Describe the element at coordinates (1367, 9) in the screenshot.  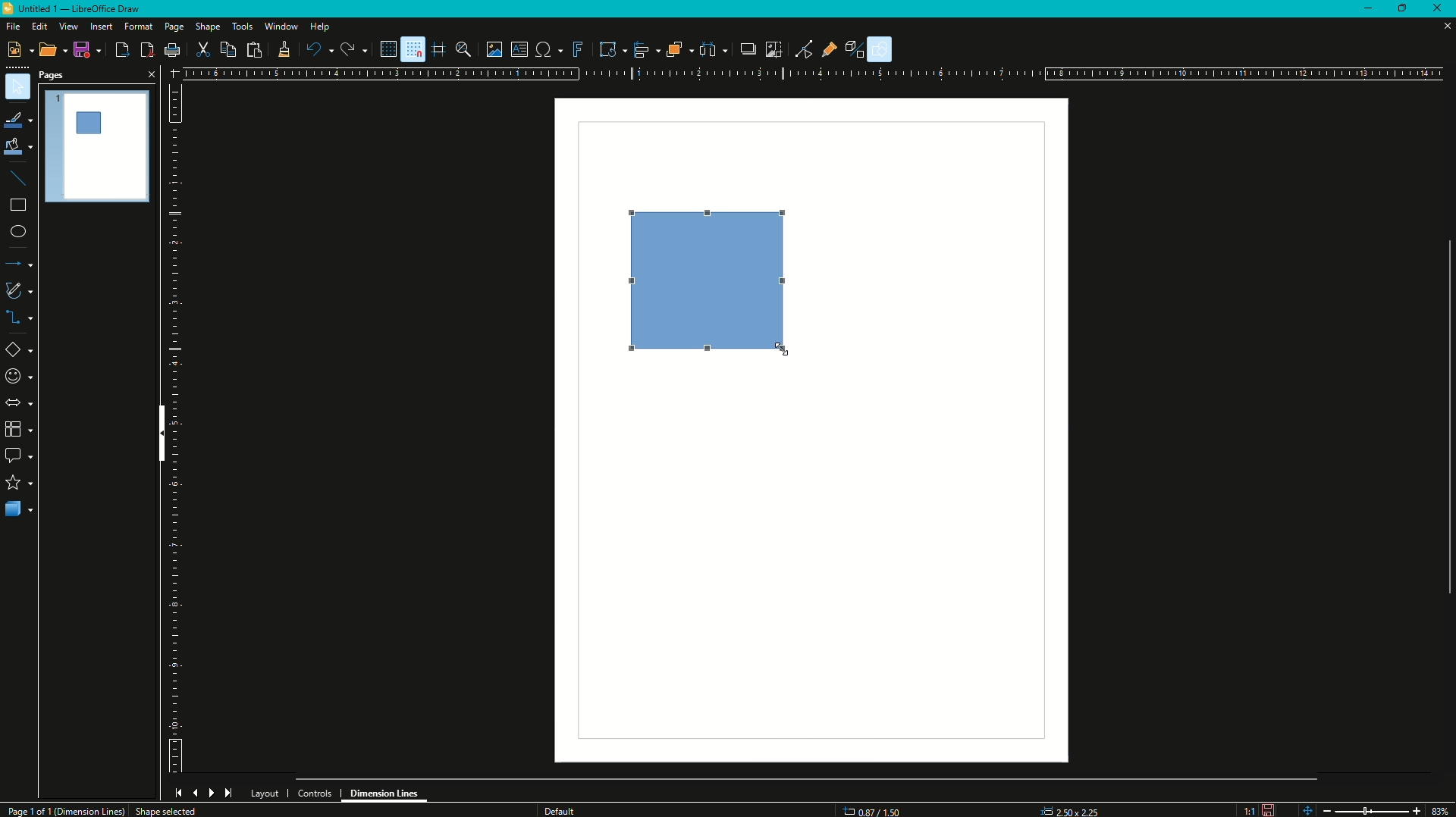
I see `Minimize` at that location.